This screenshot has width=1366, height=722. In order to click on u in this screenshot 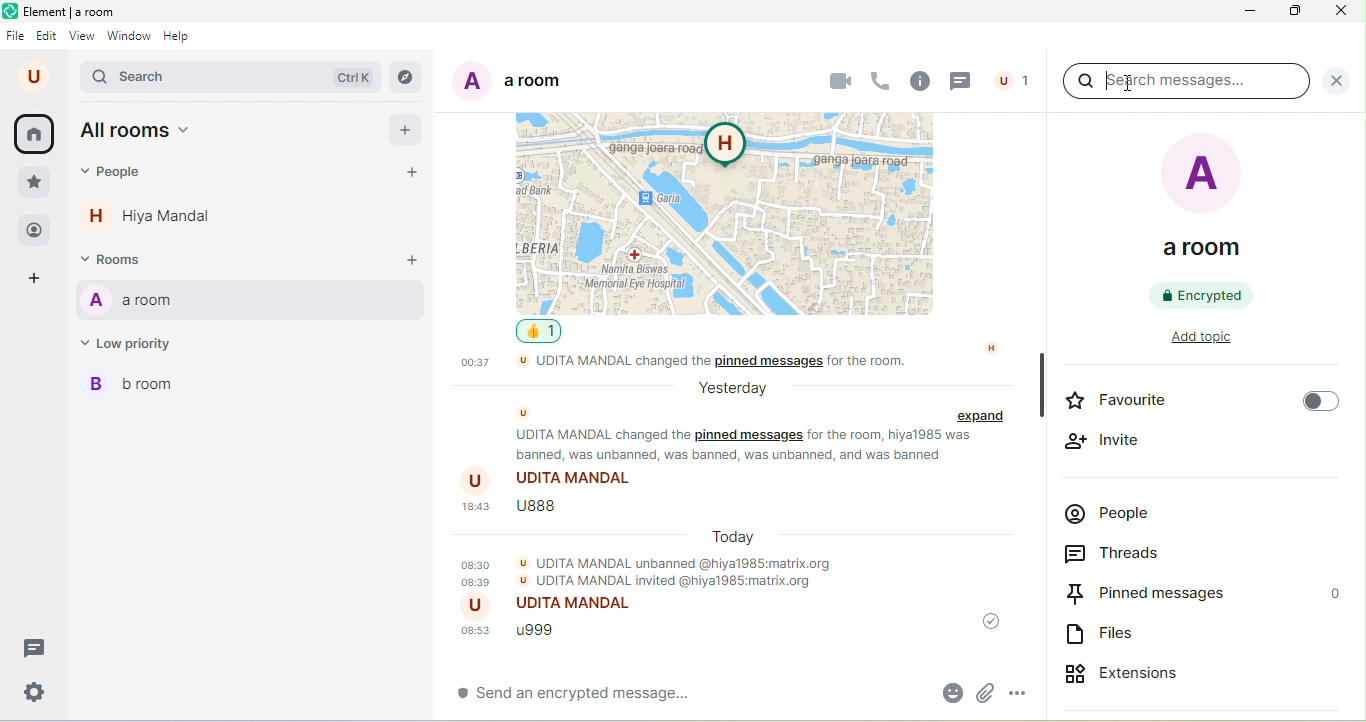, I will do `click(33, 77)`.